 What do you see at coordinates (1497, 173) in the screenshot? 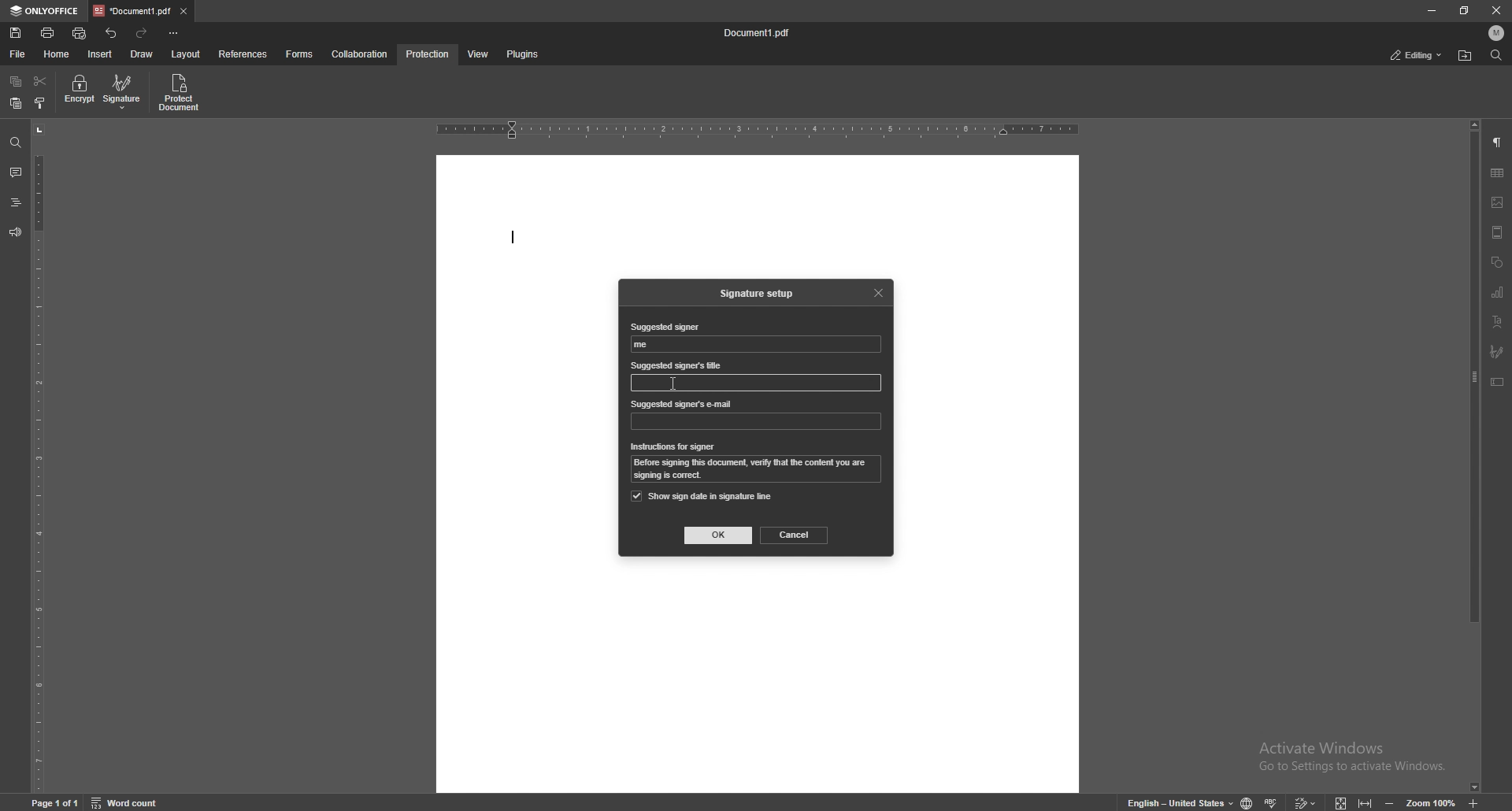
I see `table` at bounding box center [1497, 173].